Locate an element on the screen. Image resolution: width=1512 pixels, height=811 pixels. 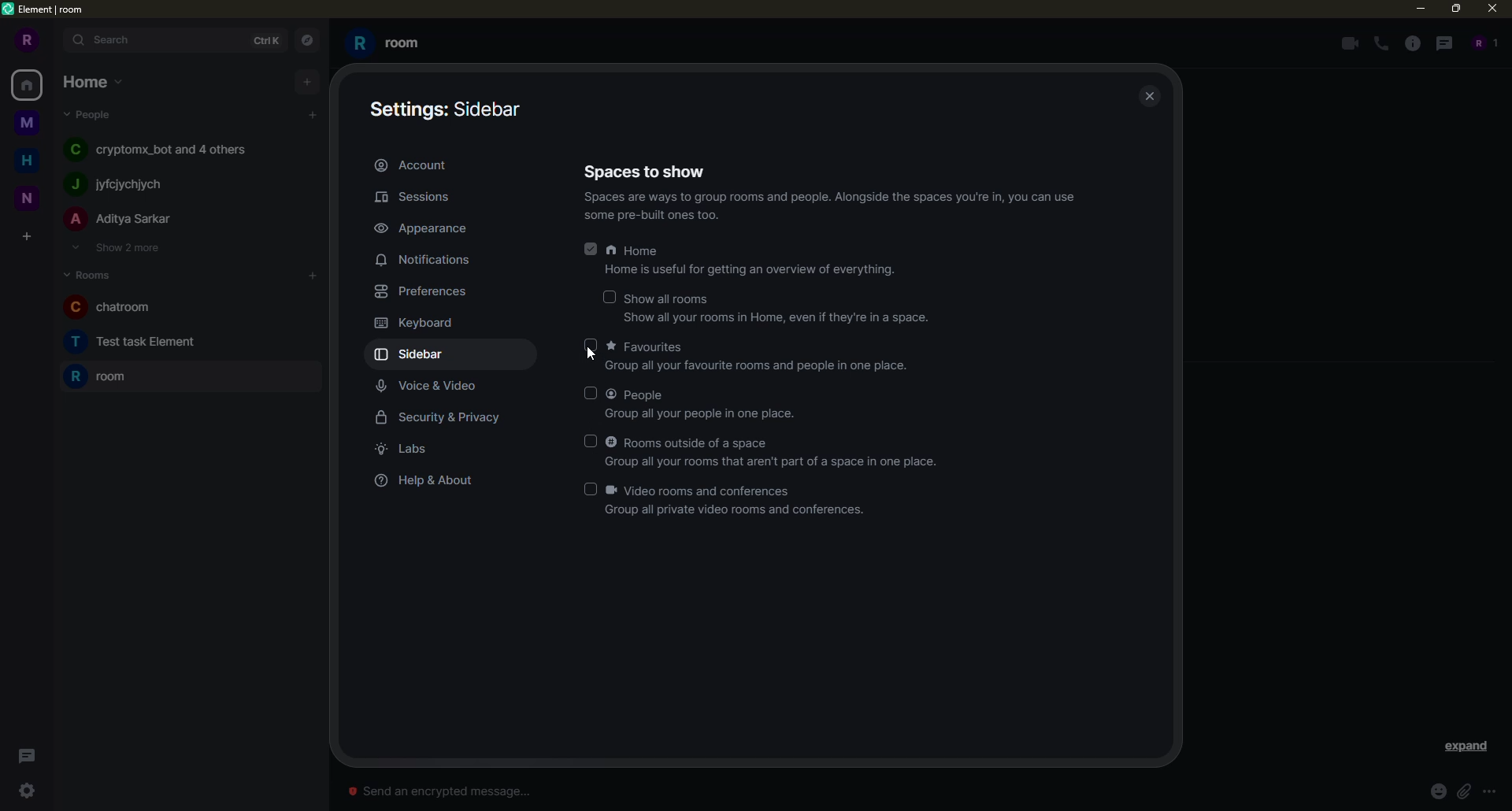
‘Show all your rooms in Home, even if they're in a space. is located at coordinates (760, 323).